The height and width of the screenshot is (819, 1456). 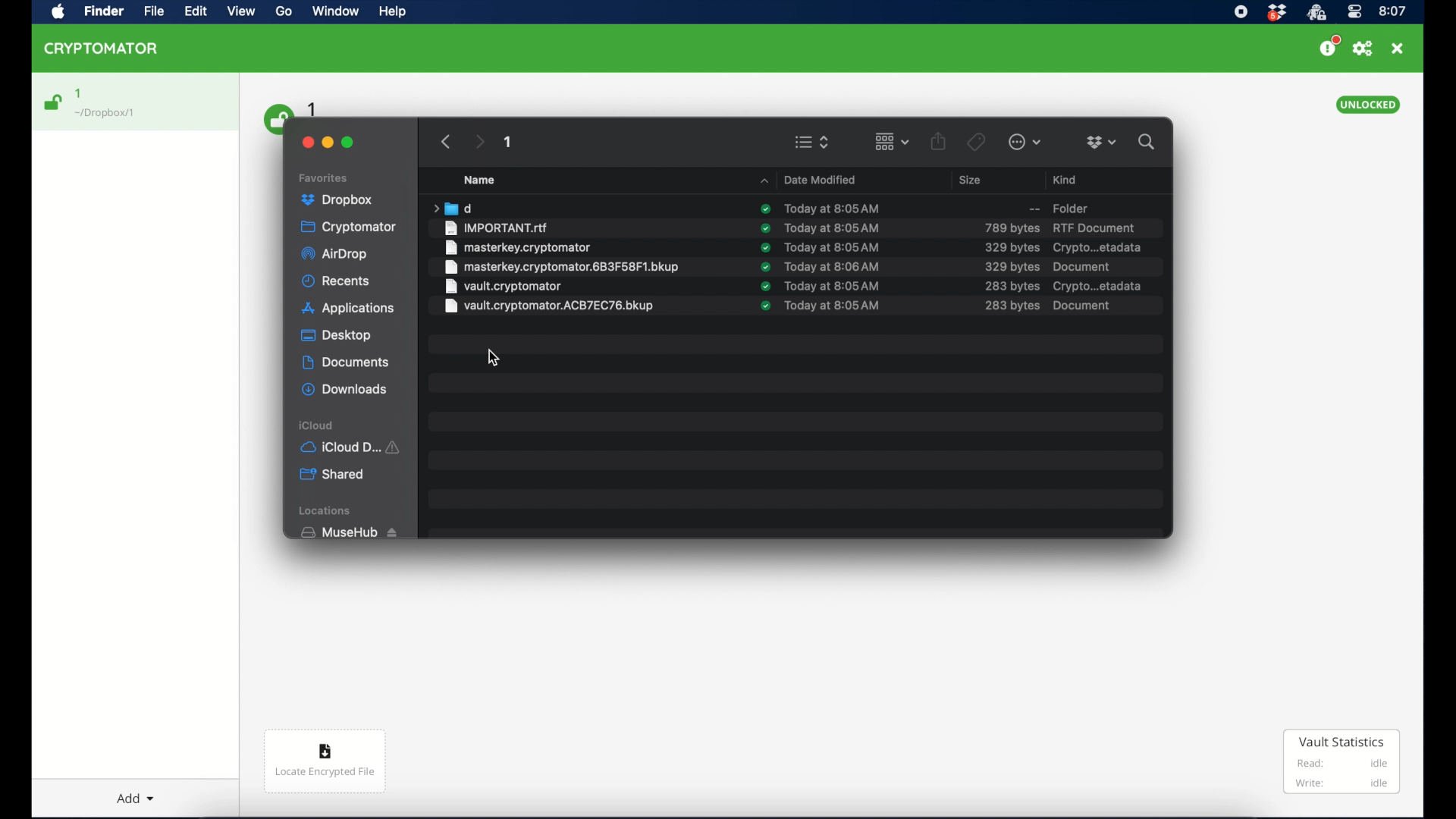 What do you see at coordinates (326, 764) in the screenshot?
I see `Locate encrypted file` at bounding box center [326, 764].